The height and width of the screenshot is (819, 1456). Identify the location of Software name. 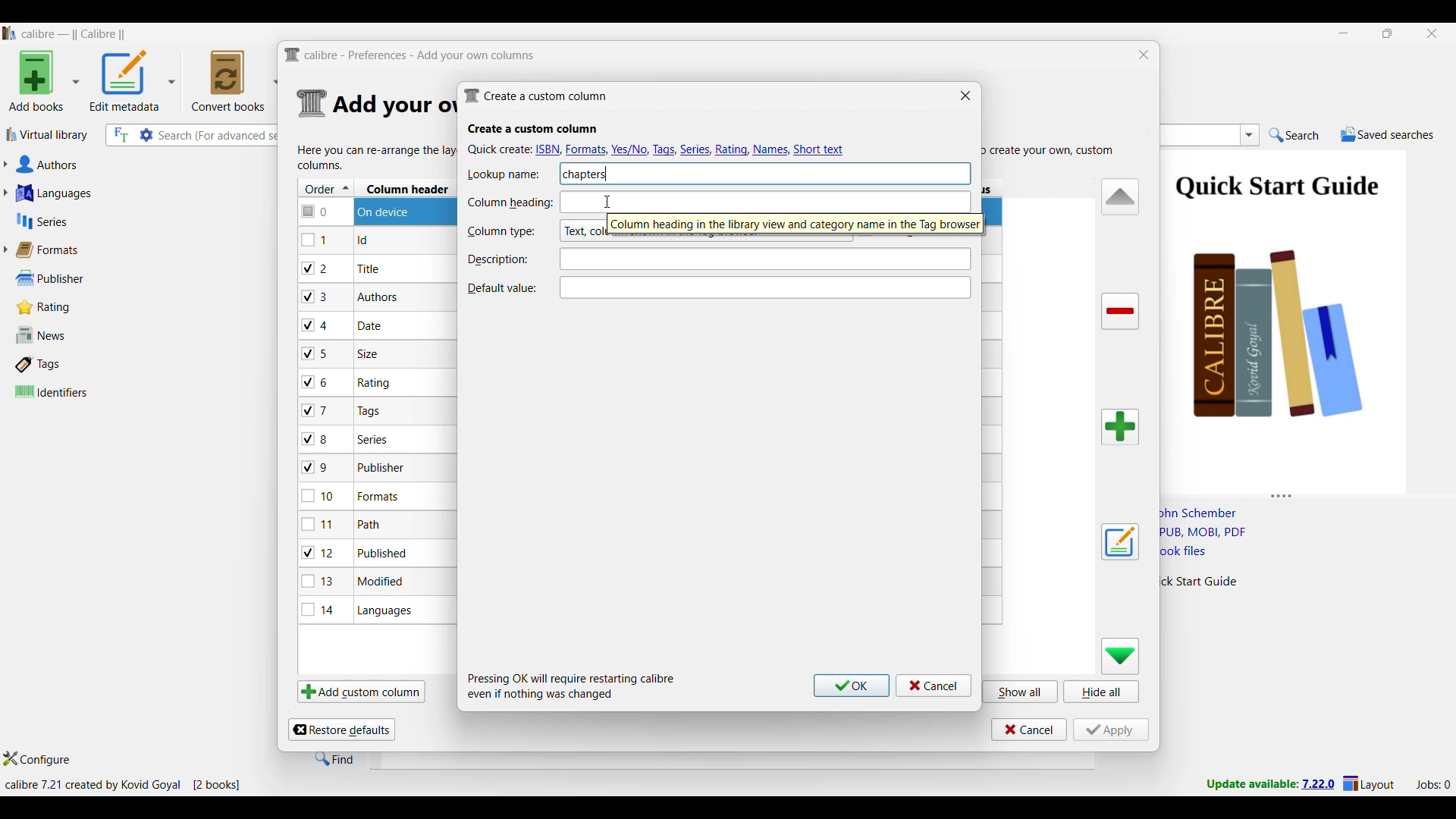
(74, 34).